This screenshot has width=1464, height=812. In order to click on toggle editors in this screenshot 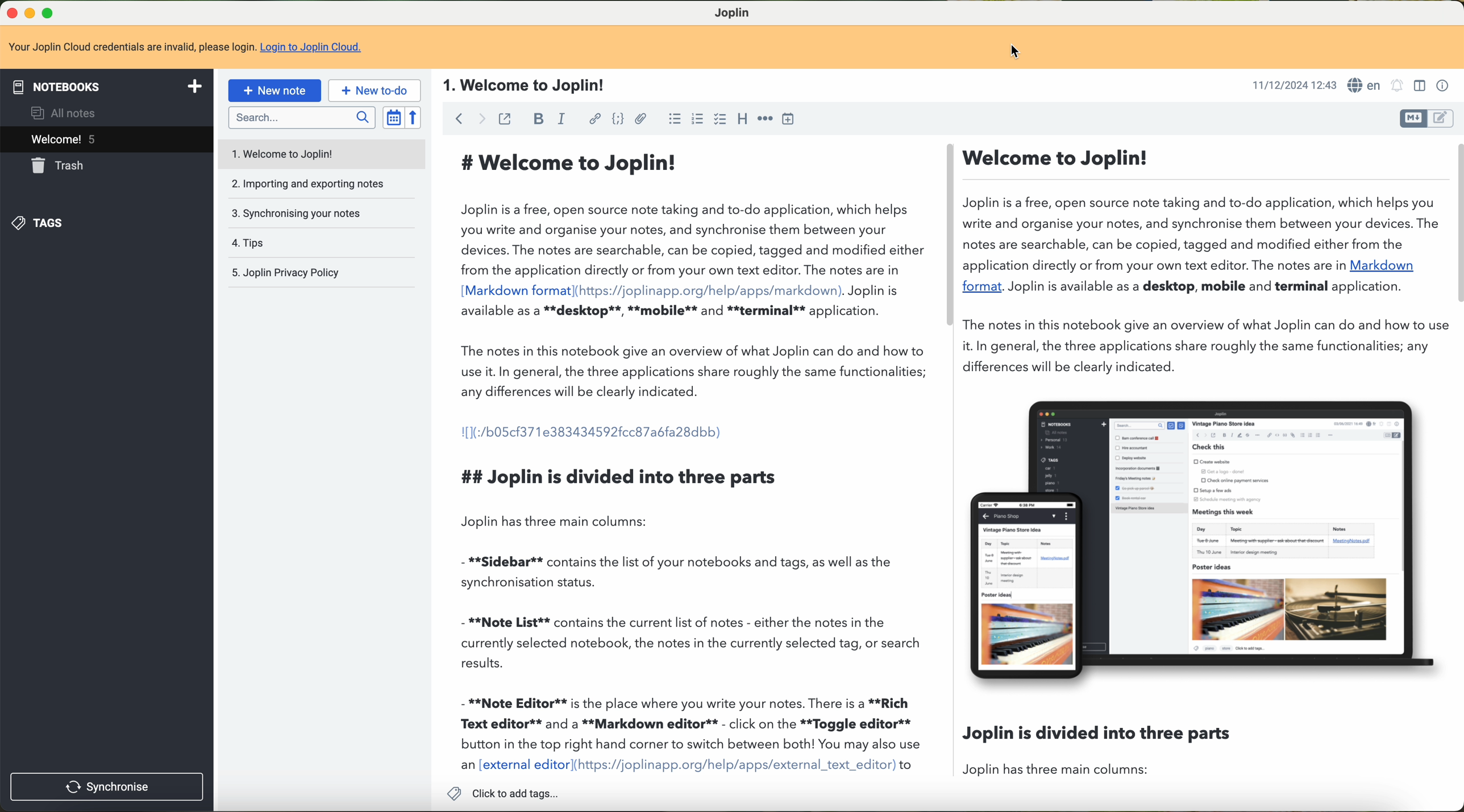, I will do `click(1445, 118)`.